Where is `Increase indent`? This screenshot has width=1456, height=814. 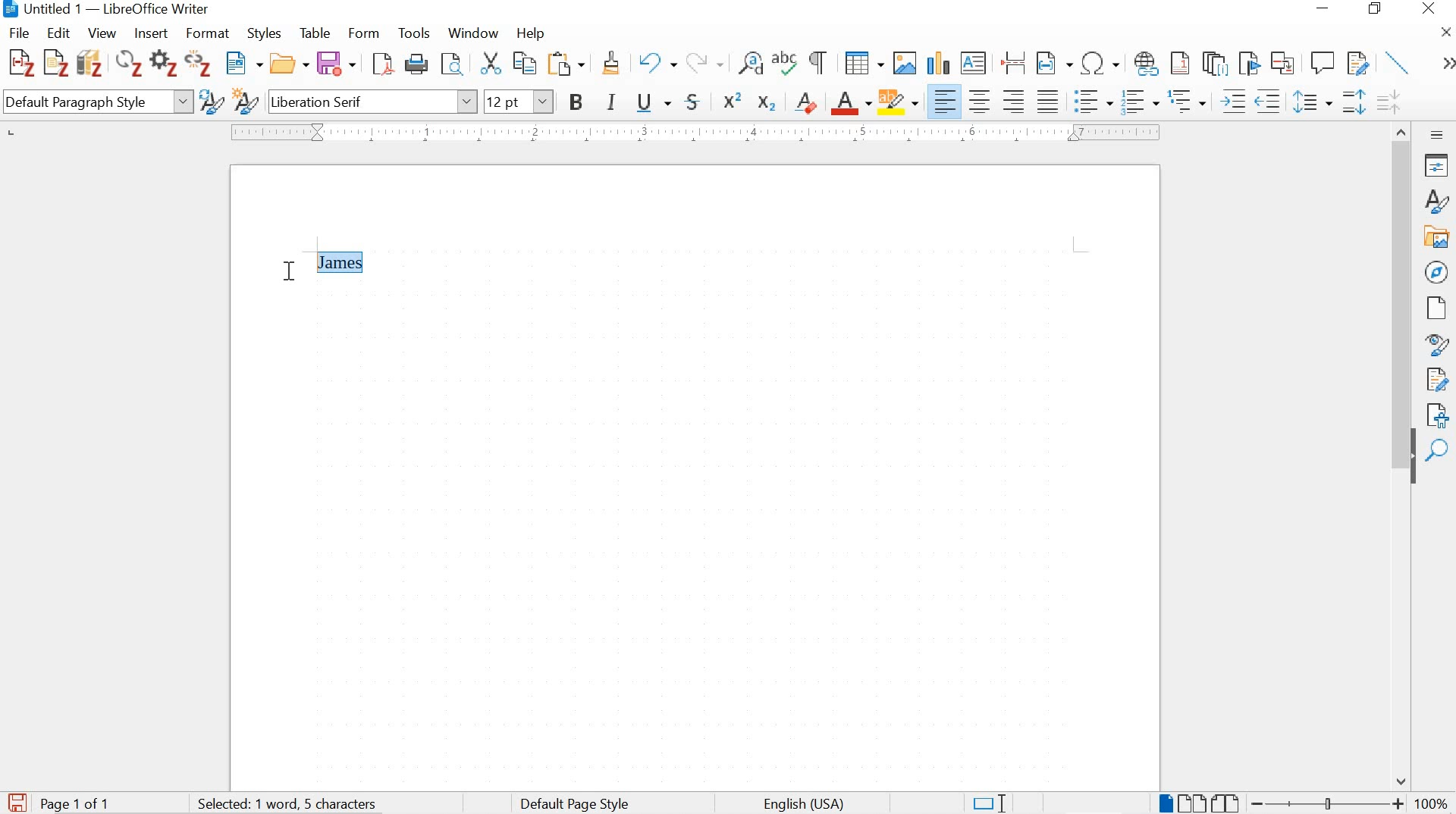
Increase indent is located at coordinates (1232, 101).